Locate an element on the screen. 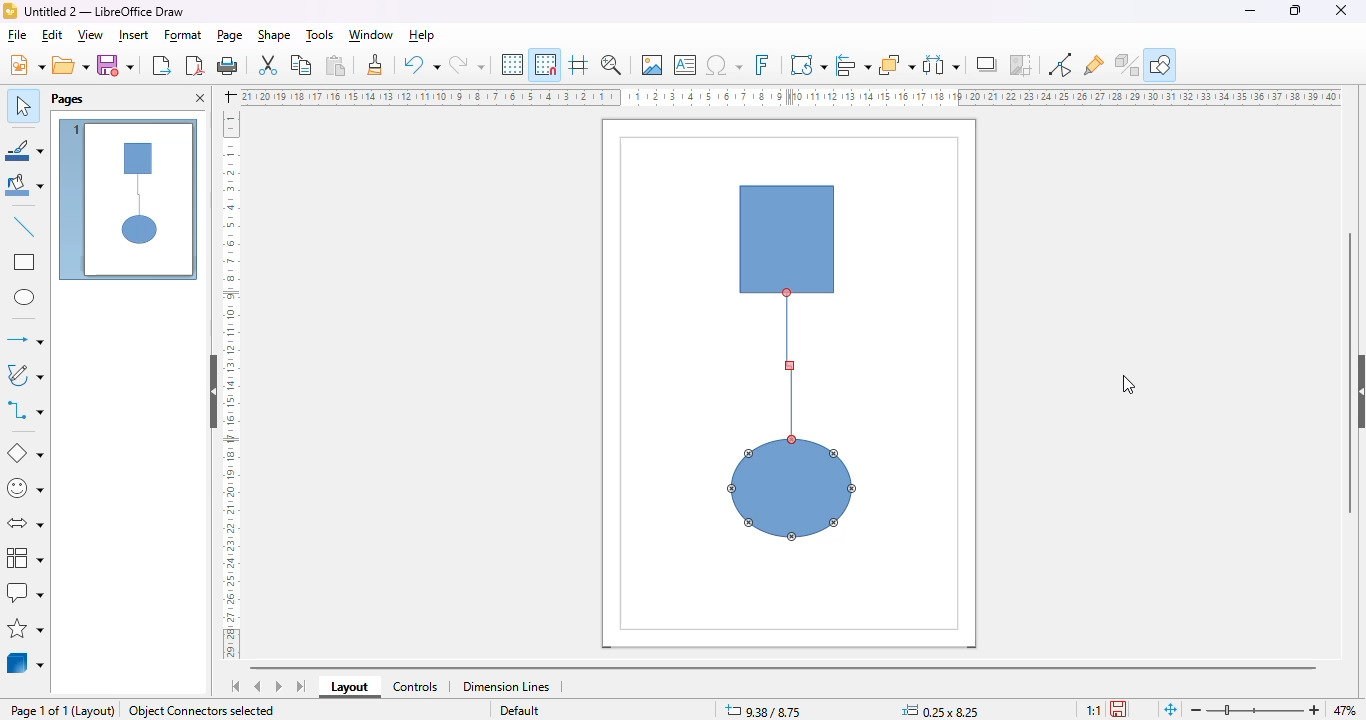 The image size is (1366, 720). horizontal scroll bar is located at coordinates (787, 665).